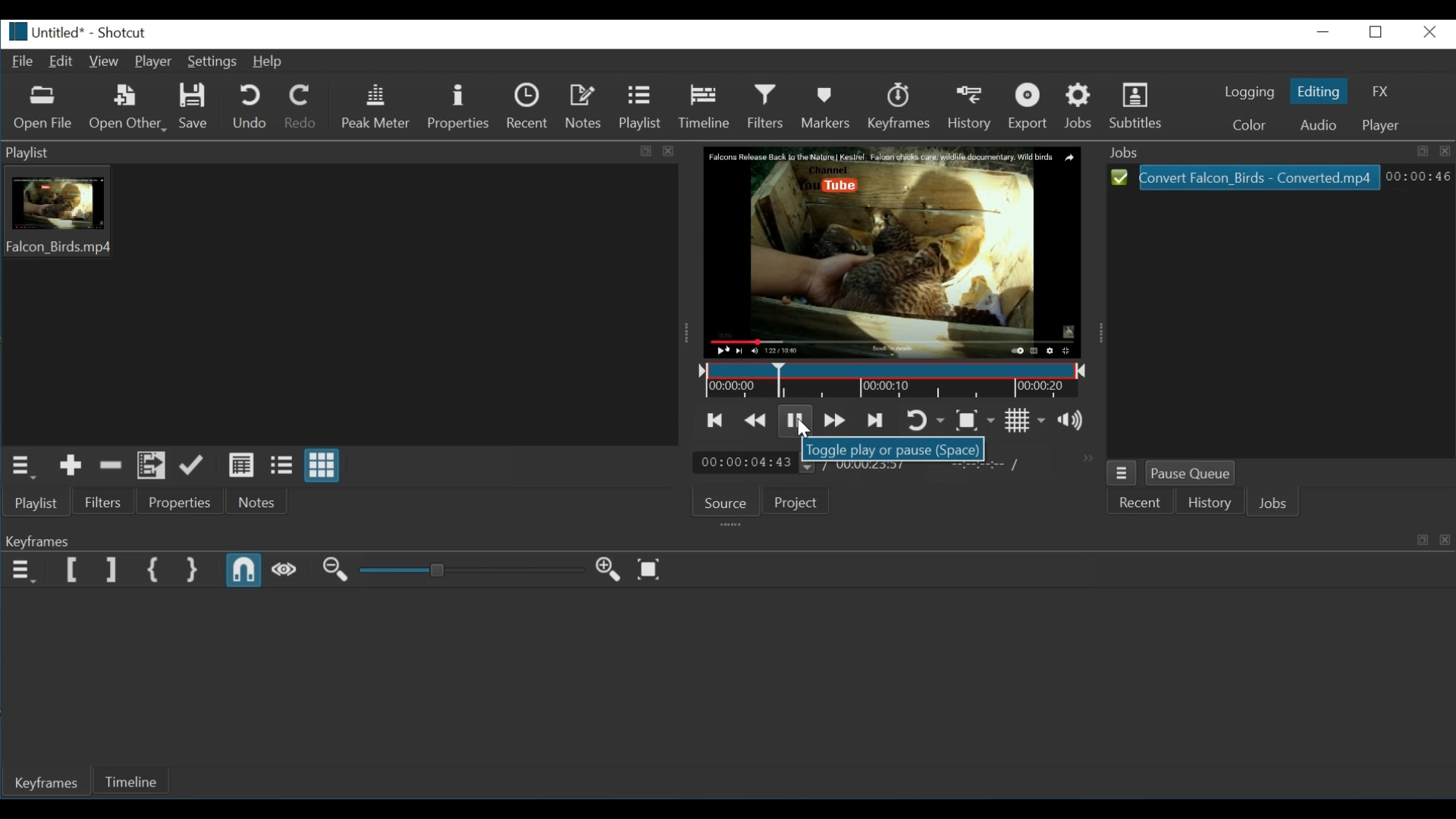 The image size is (1456, 819). What do you see at coordinates (319, 466) in the screenshot?
I see `View as icons` at bounding box center [319, 466].